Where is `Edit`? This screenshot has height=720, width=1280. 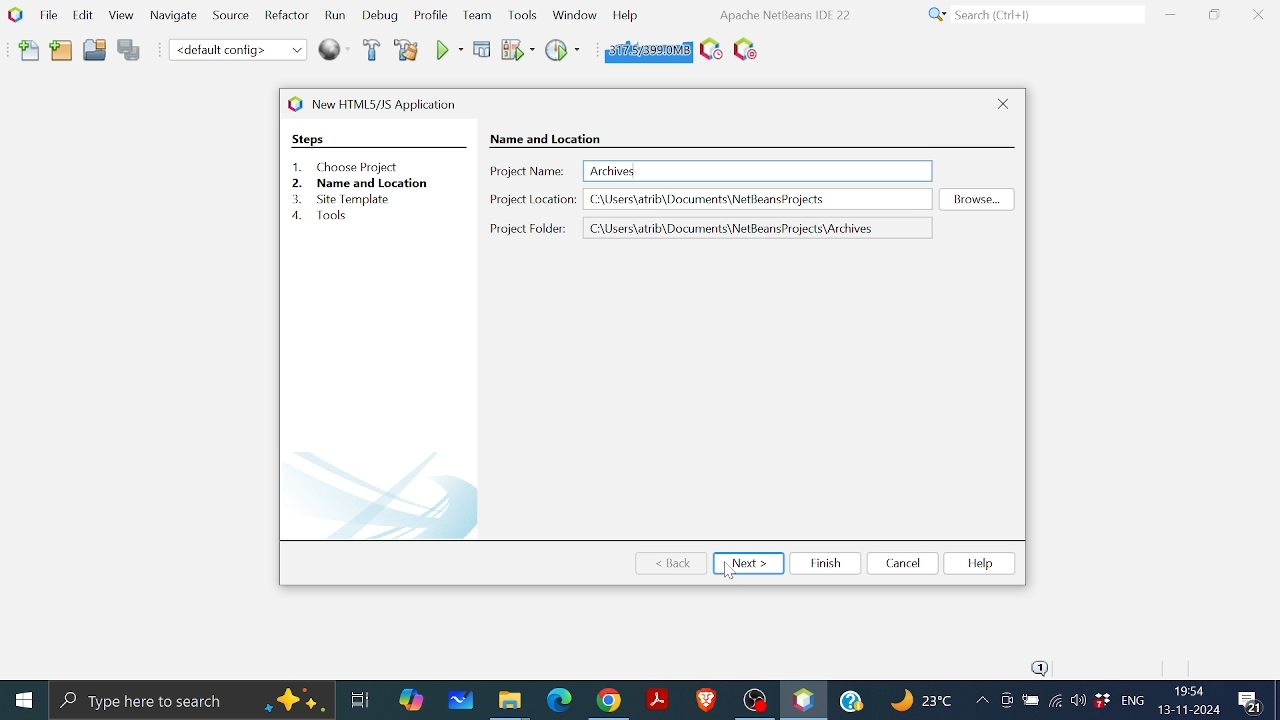
Edit is located at coordinates (80, 14).